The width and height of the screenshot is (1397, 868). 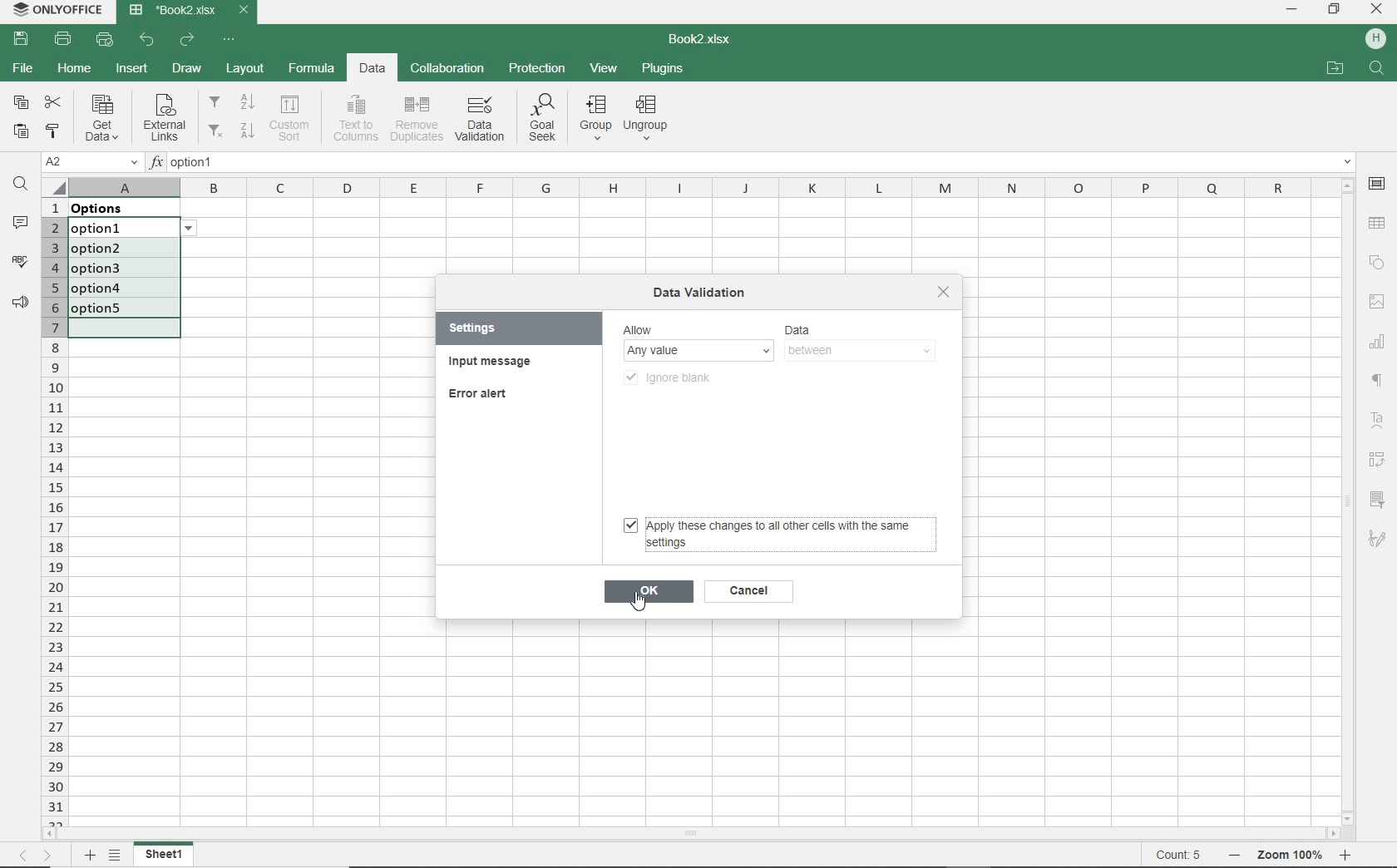 I want to click on Select all, so click(x=54, y=185).